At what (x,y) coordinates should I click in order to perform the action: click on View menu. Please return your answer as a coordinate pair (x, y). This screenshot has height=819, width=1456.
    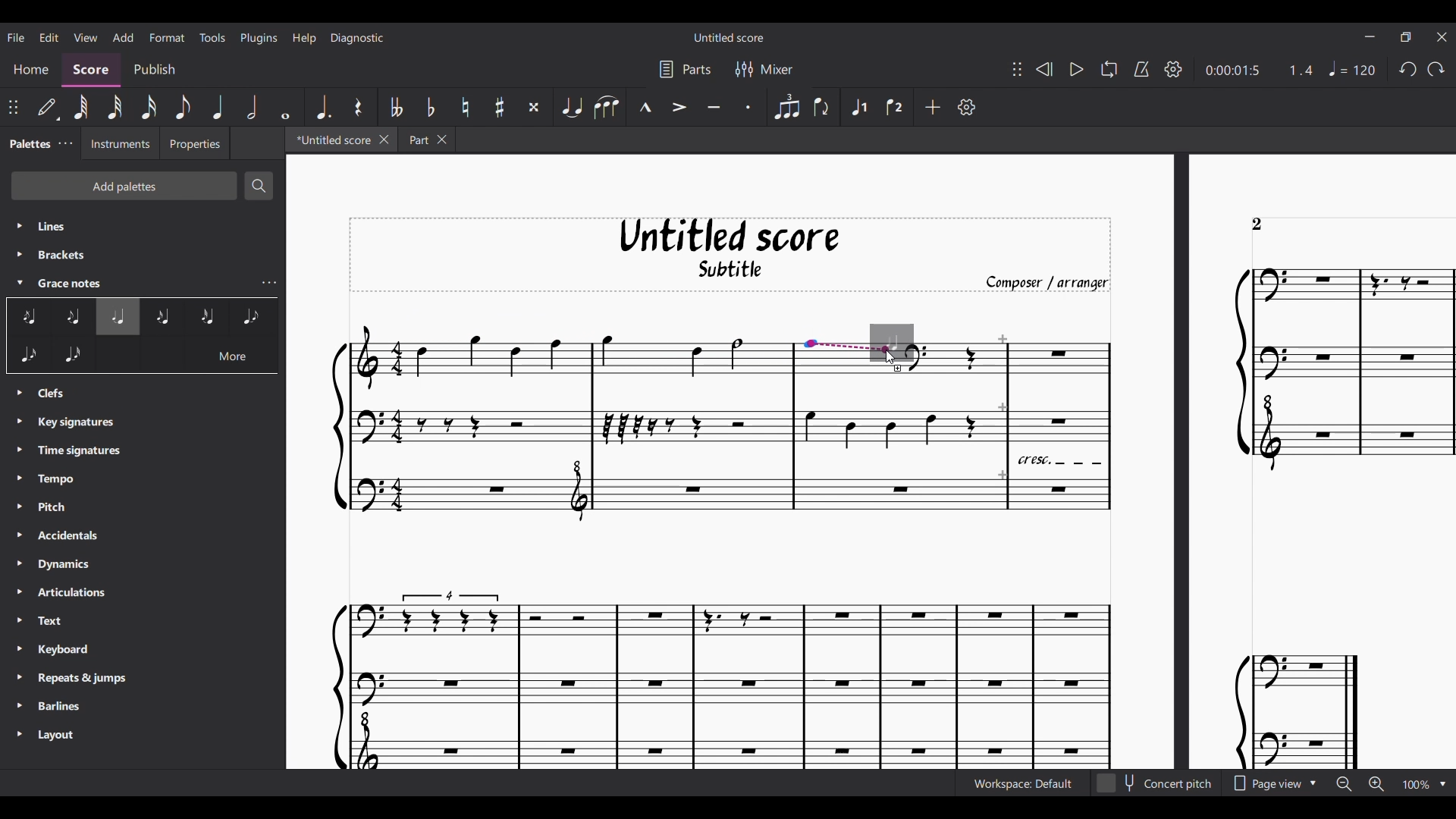
    Looking at the image, I should click on (84, 37).